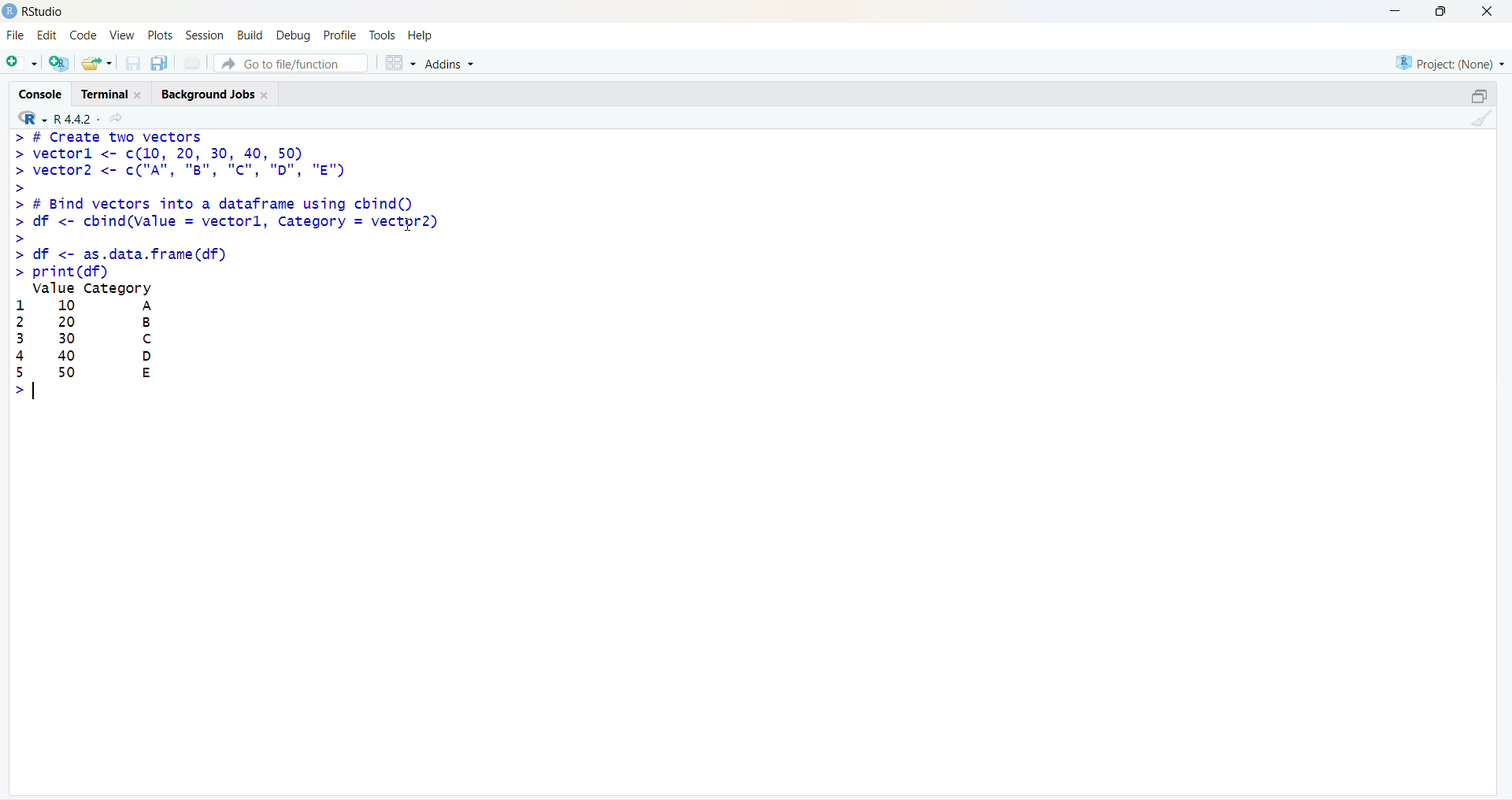  I want to click on View, so click(121, 35).